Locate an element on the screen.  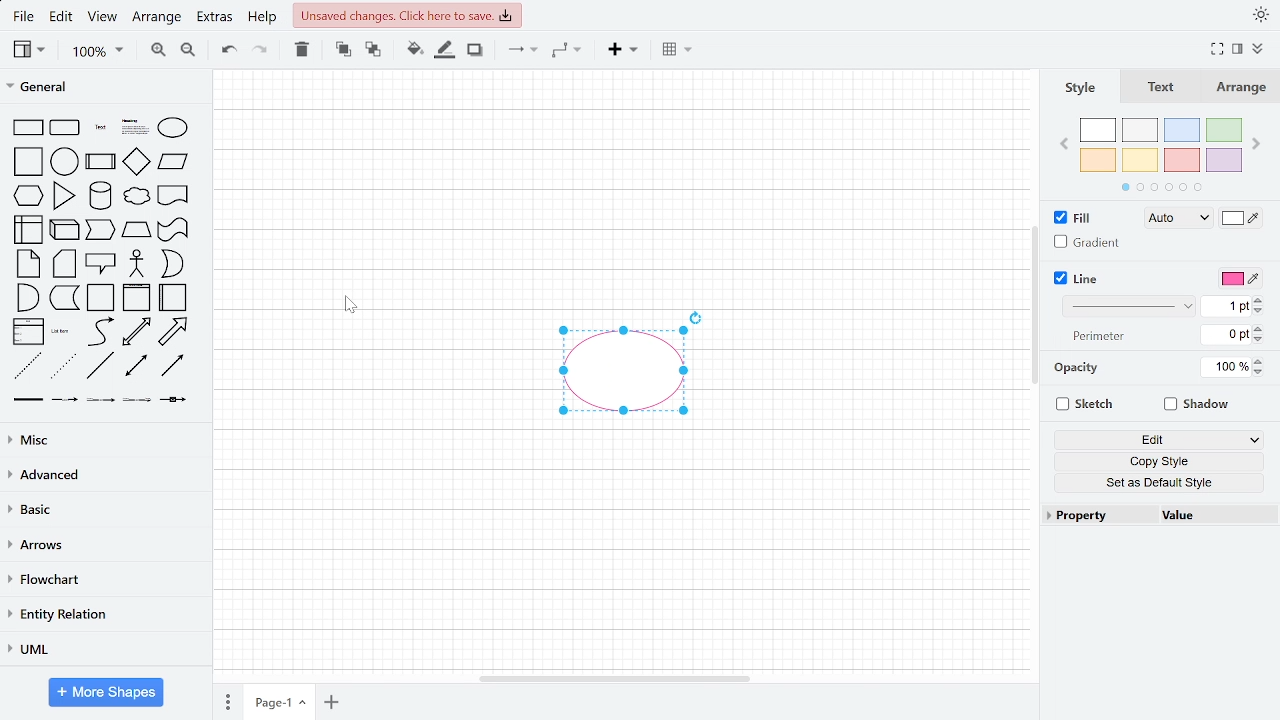
zoom is located at coordinates (90, 51).